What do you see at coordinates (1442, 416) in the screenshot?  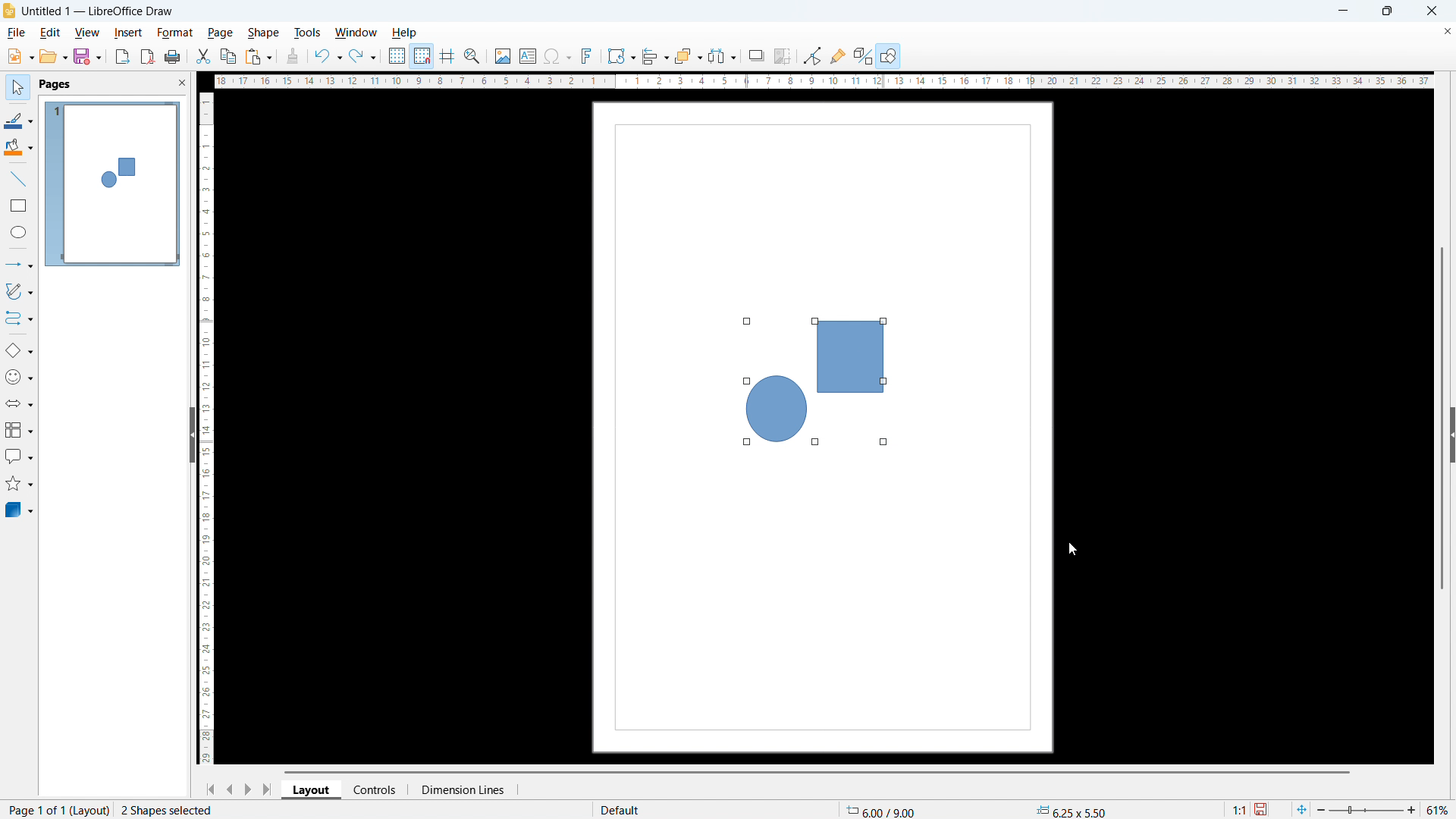 I see `vertical scrollbar` at bounding box center [1442, 416].